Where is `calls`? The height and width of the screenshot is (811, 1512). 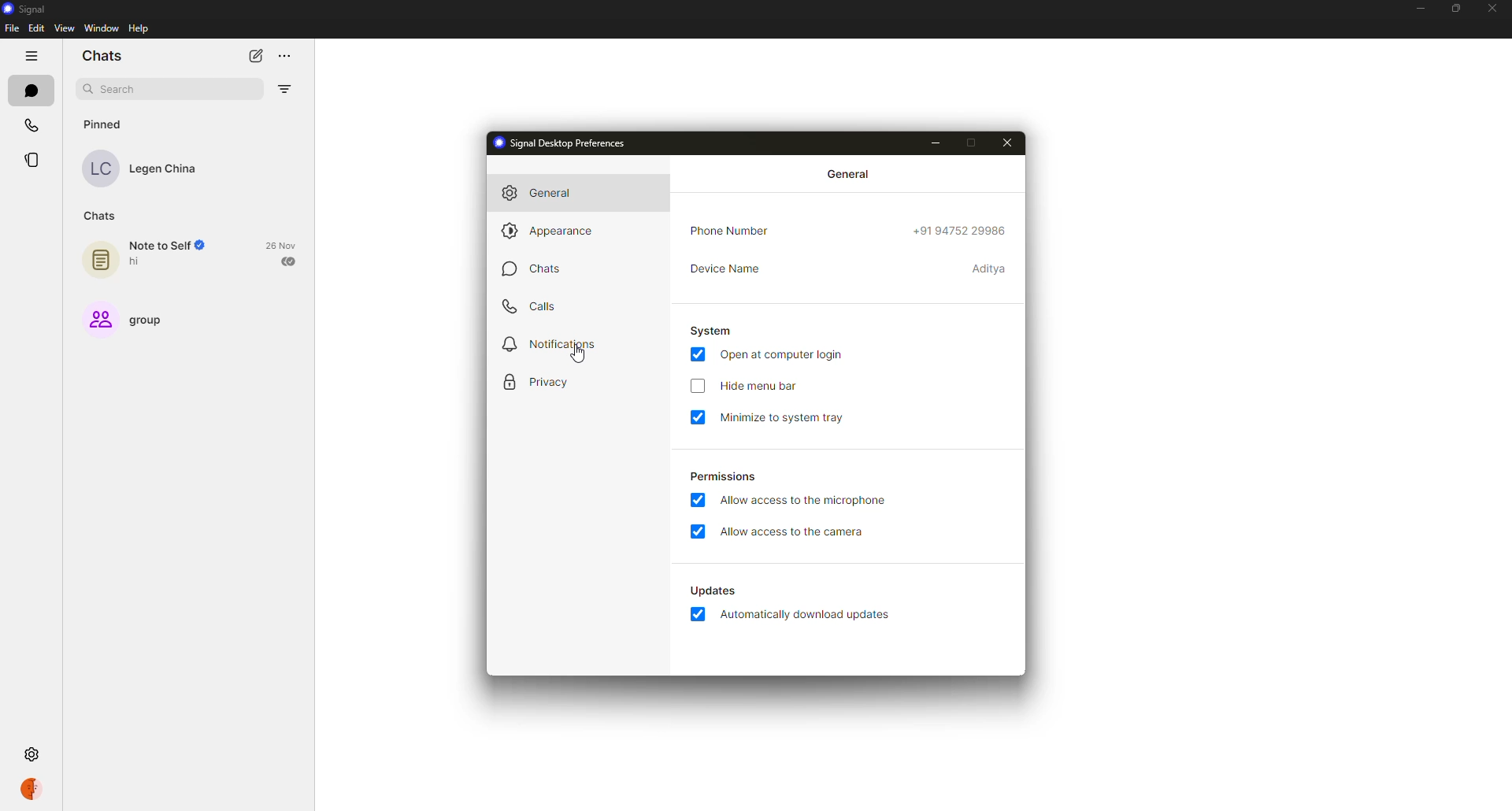 calls is located at coordinates (532, 304).